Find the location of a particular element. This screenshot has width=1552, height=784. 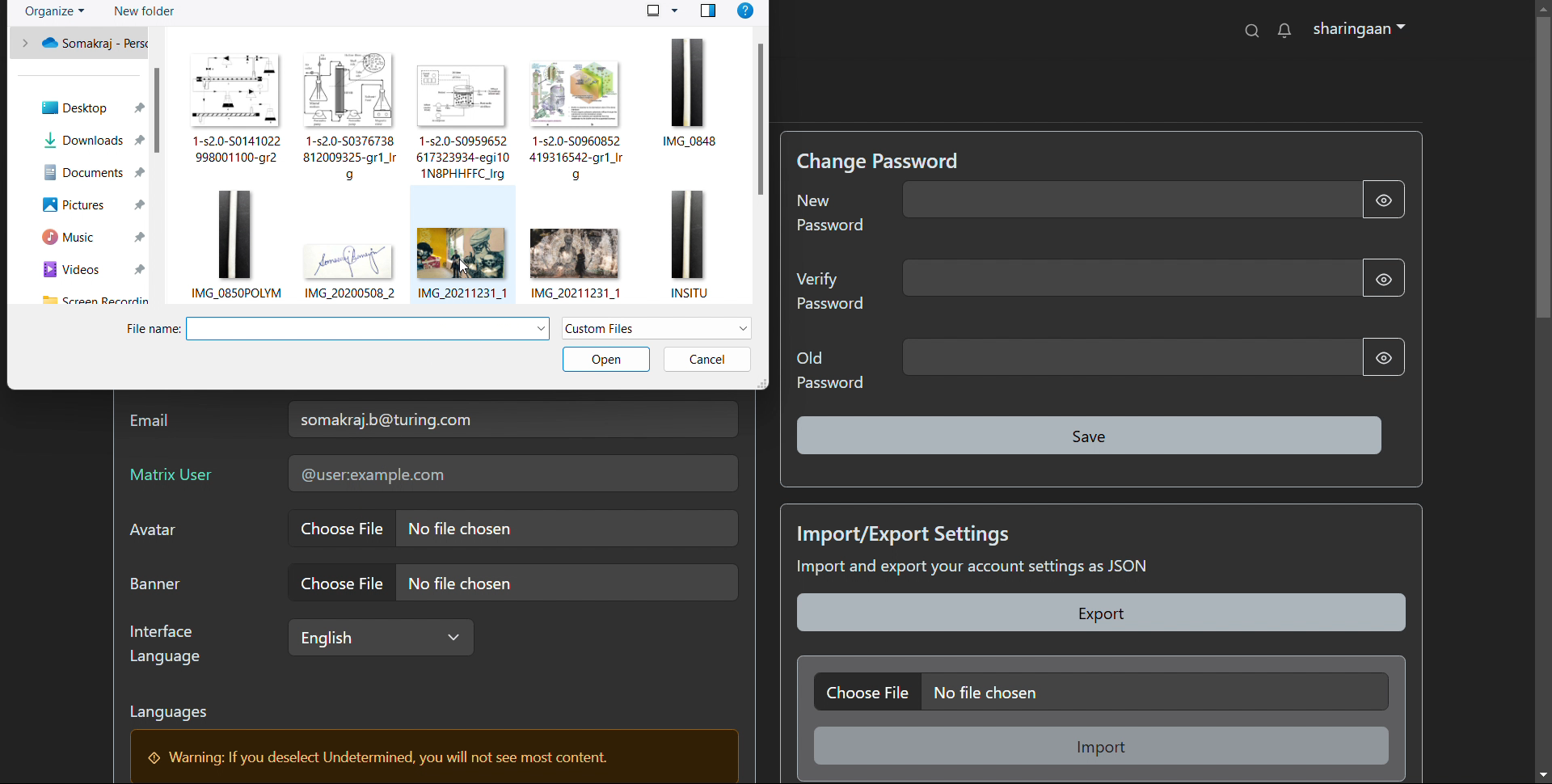

old password is located at coordinates (1132, 357).